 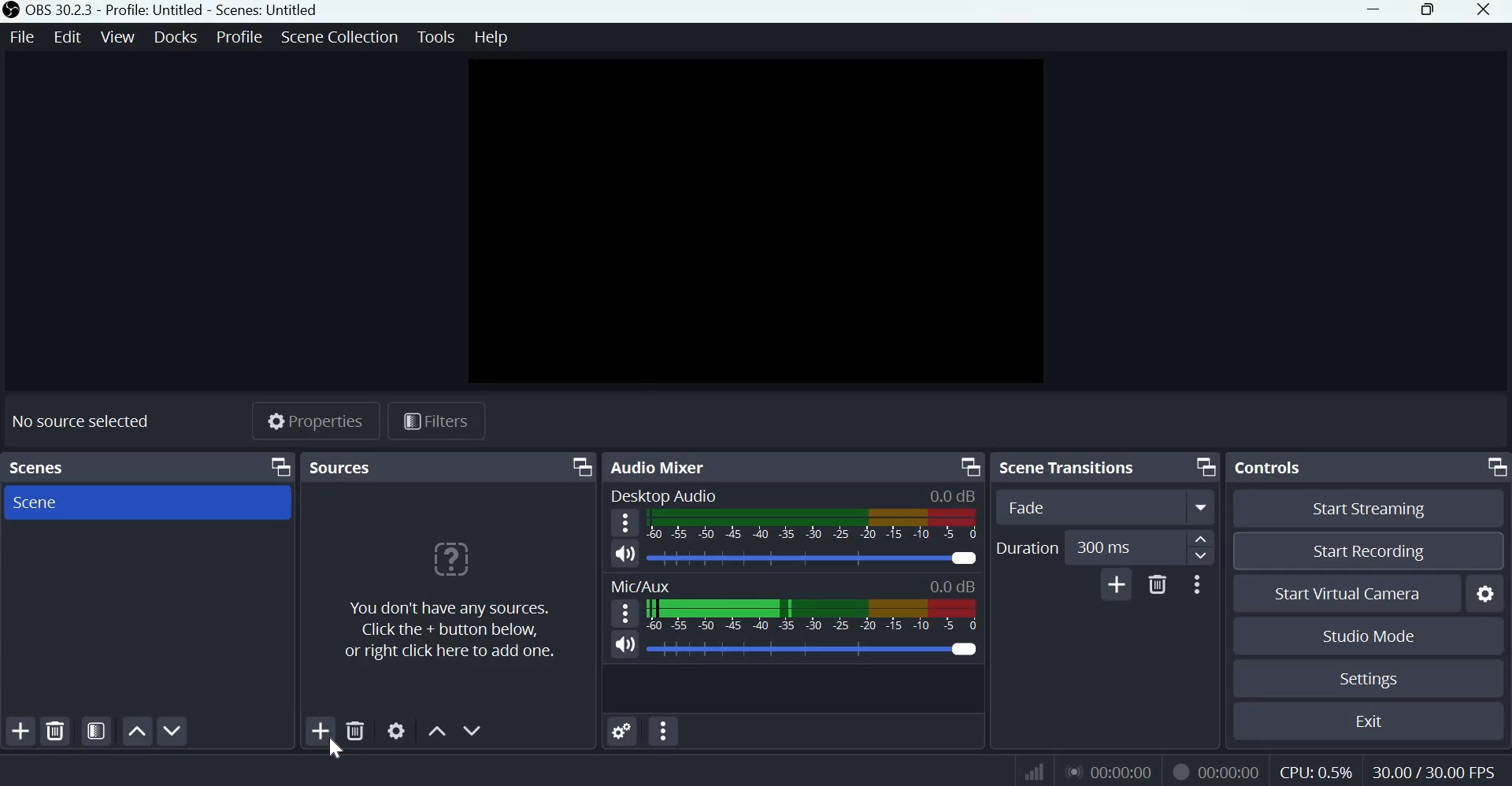 I want to click on Mic/Aux, so click(x=639, y=586).